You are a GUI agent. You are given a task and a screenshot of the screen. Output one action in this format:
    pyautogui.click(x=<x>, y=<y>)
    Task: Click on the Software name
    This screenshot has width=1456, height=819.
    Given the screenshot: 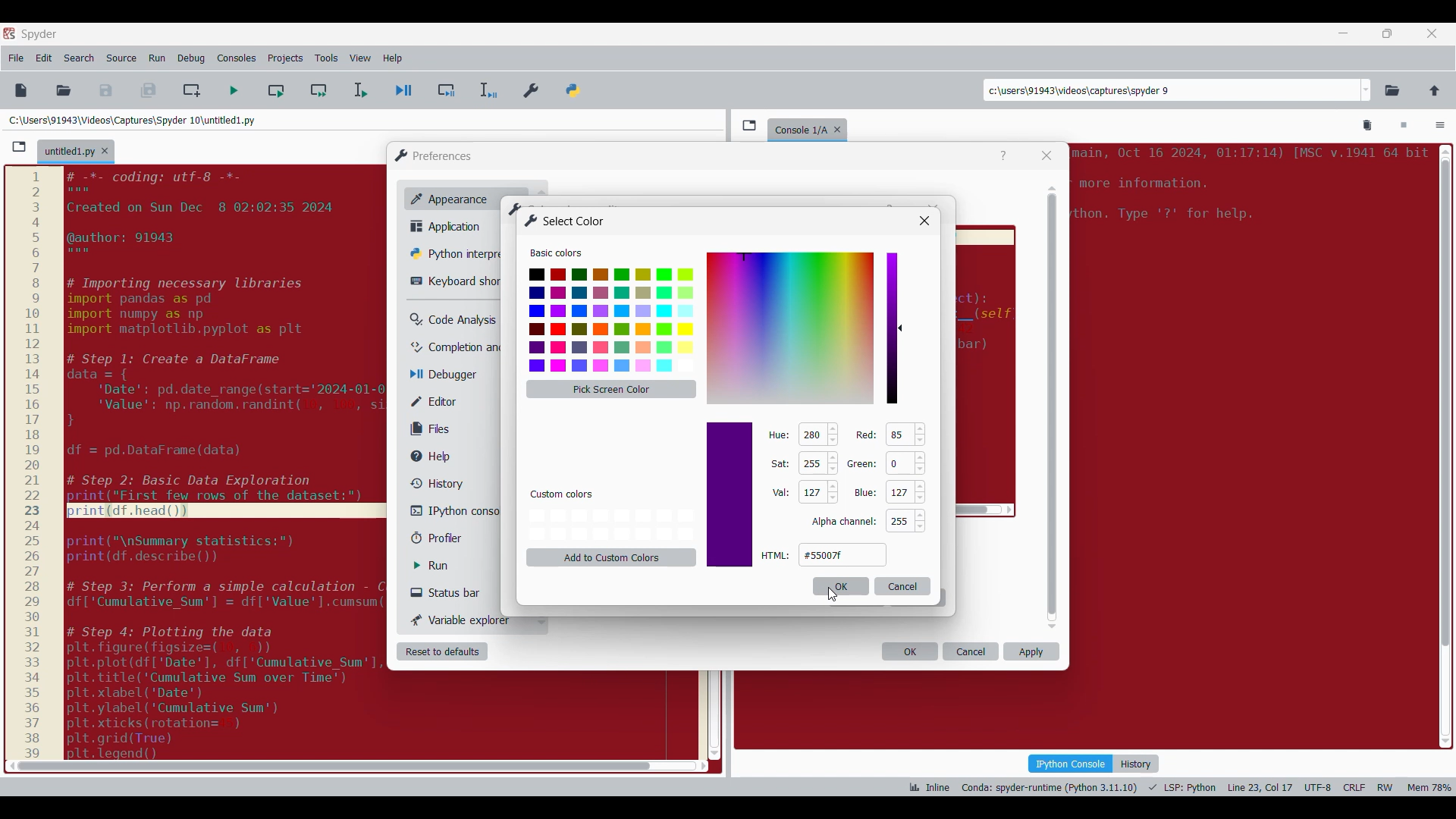 What is the action you would take?
    pyautogui.click(x=39, y=34)
    